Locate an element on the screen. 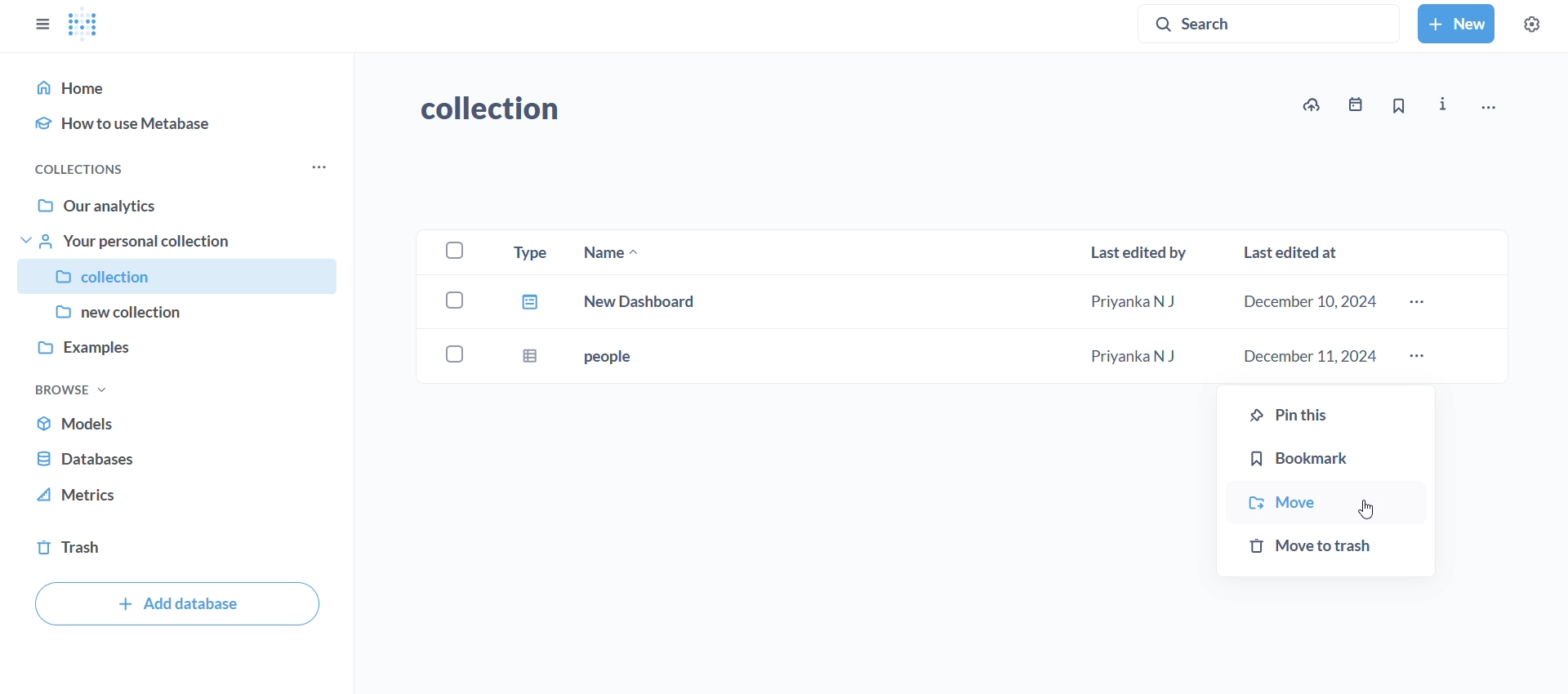 The image size is (1568, 694). checkbox is located at coordinates (457, 299).